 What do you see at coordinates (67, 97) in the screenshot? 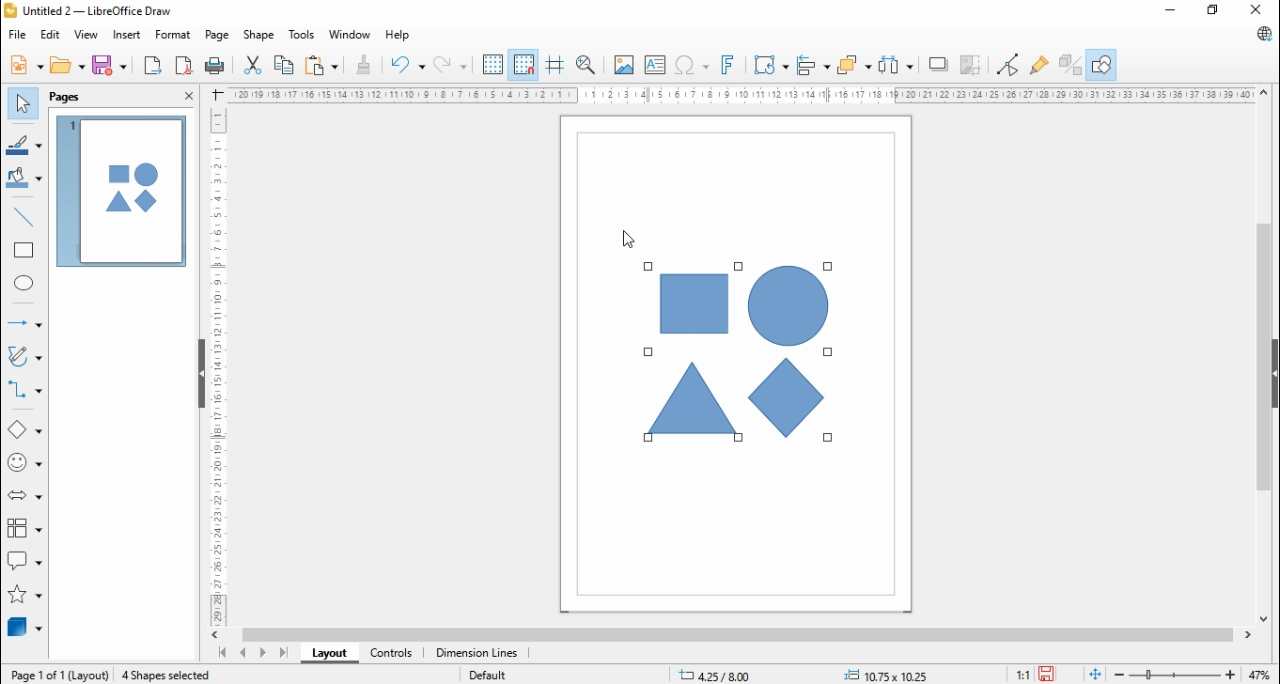
I see `pages` at bounding box center [67, 97].